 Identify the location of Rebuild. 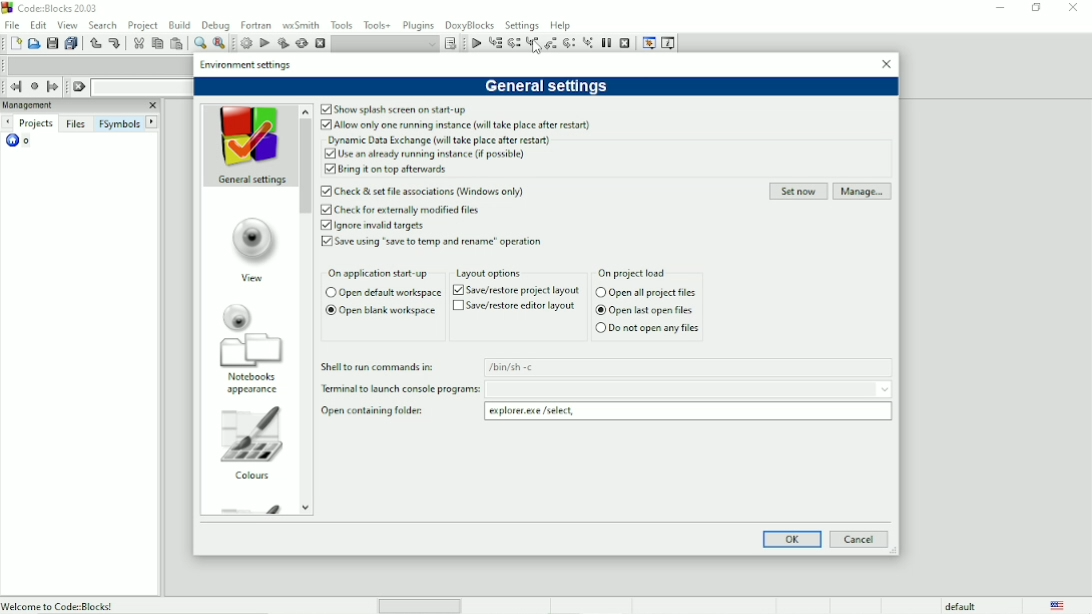
(300, 42).